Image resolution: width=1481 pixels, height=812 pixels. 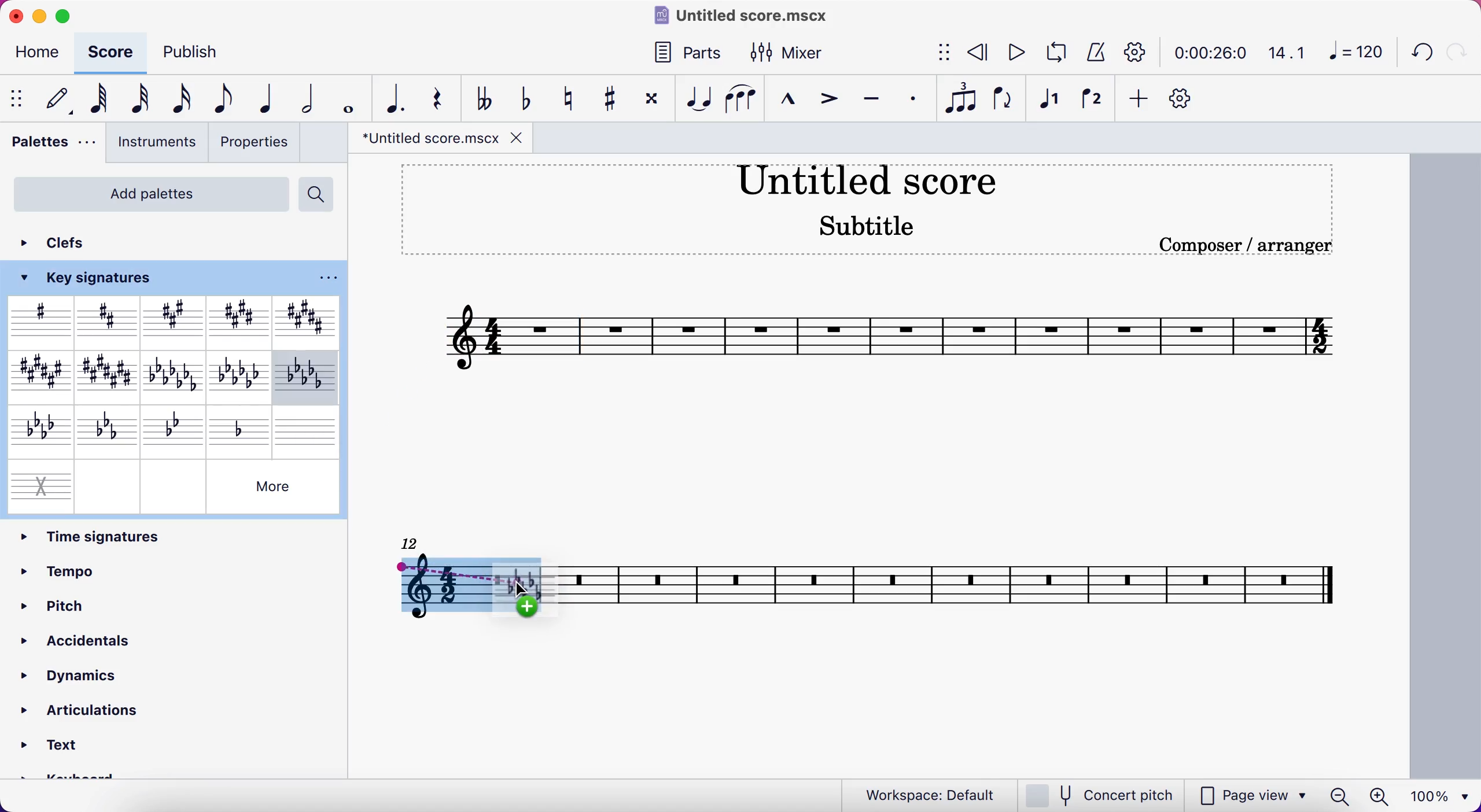 What do you see at coordinates (109, 375) in the screenshot?
I see `C major` at bounding box center [109, 375].